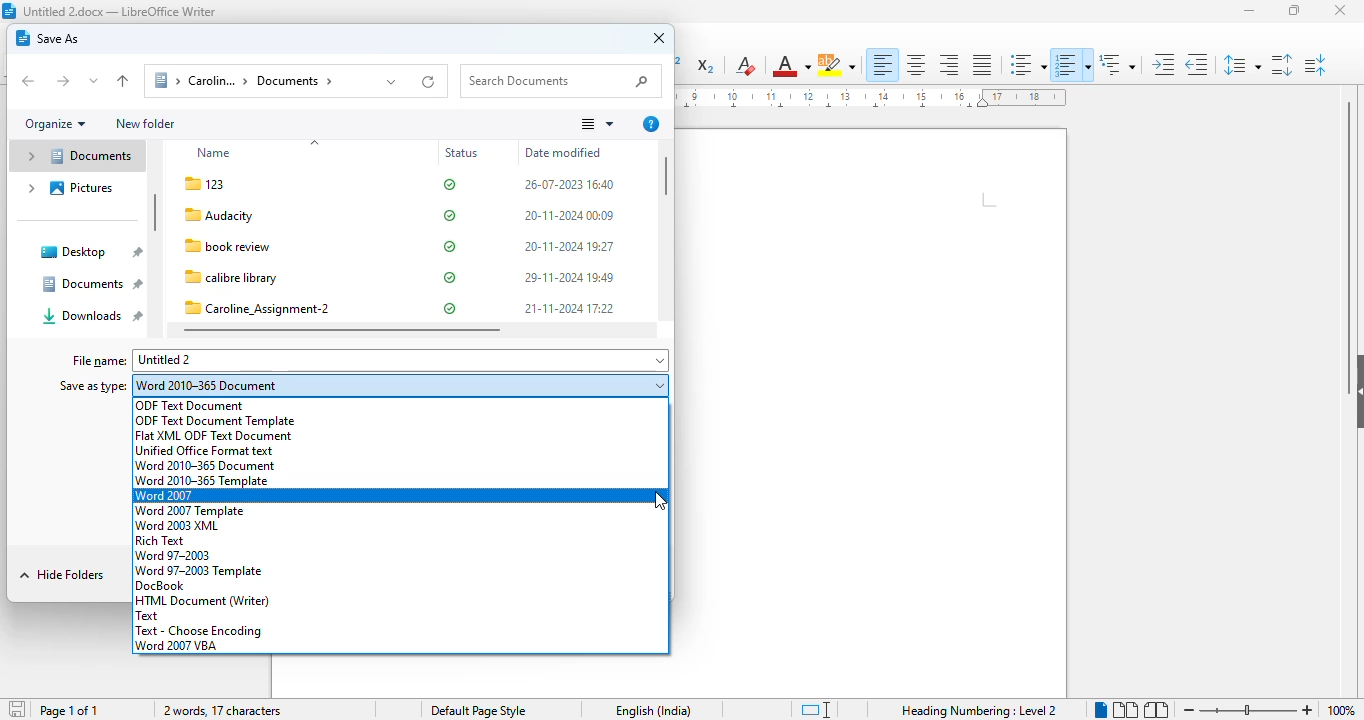 Image resolution: width=1364 pixels, height=720 pixels. I want to click on cursor, so click(662, 500).